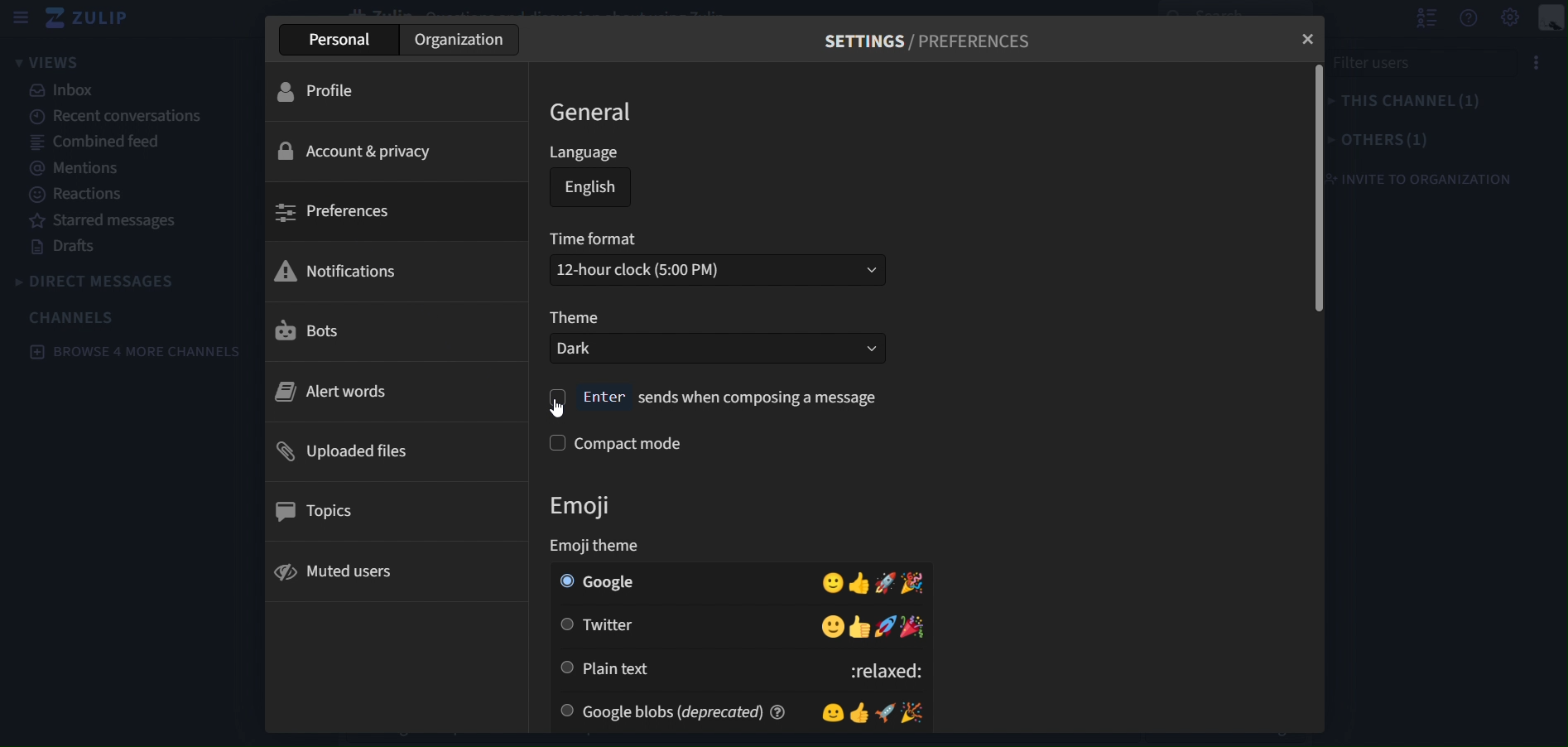 The height and width of the screenshot is (747, 1568). What do you see at coordinates (695, 626) in the screenshot?
I see `Twitter` at bounding box center [695, 626].